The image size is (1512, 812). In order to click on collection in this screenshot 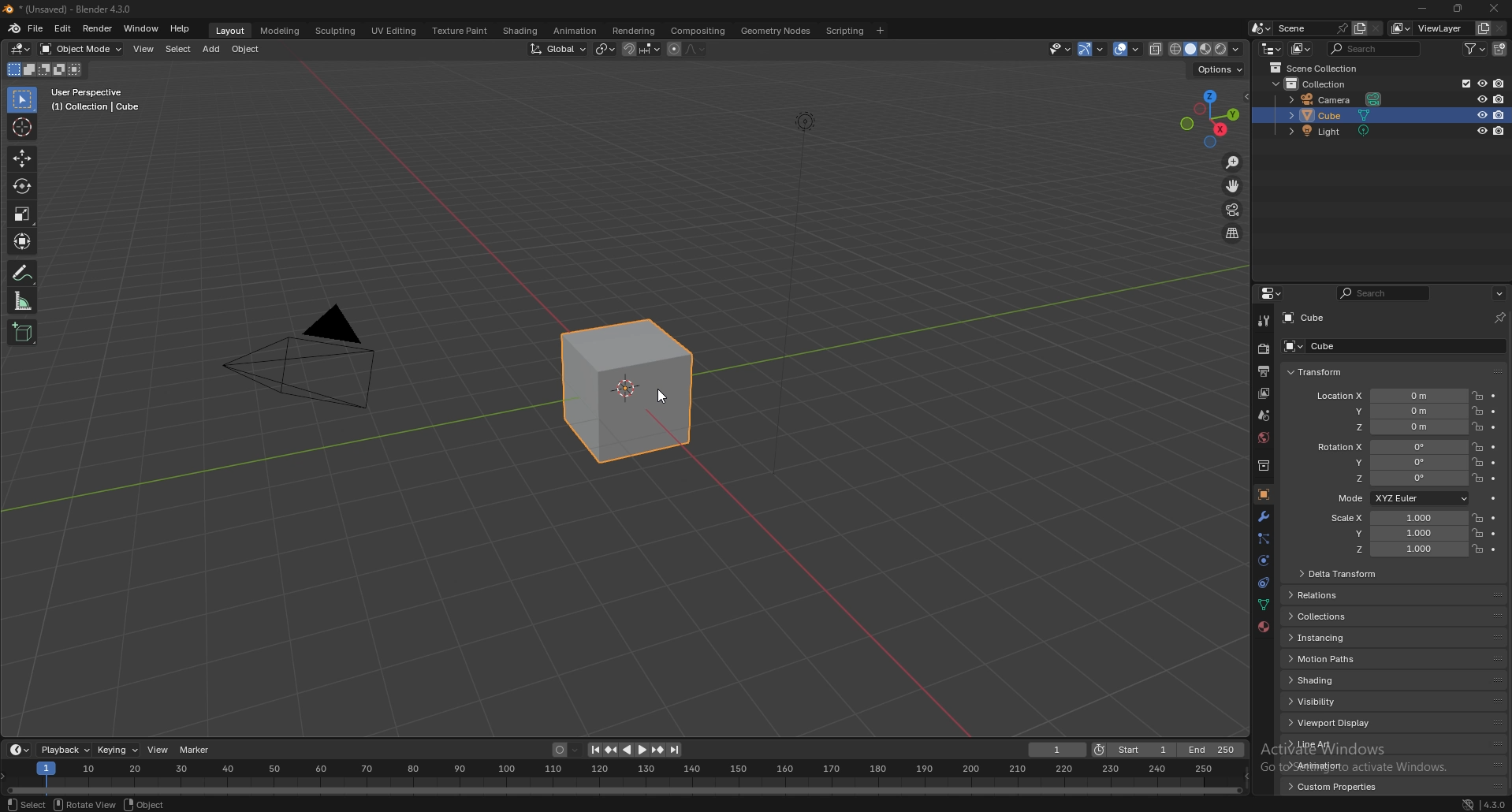, I will do `click(1320, 84)`.